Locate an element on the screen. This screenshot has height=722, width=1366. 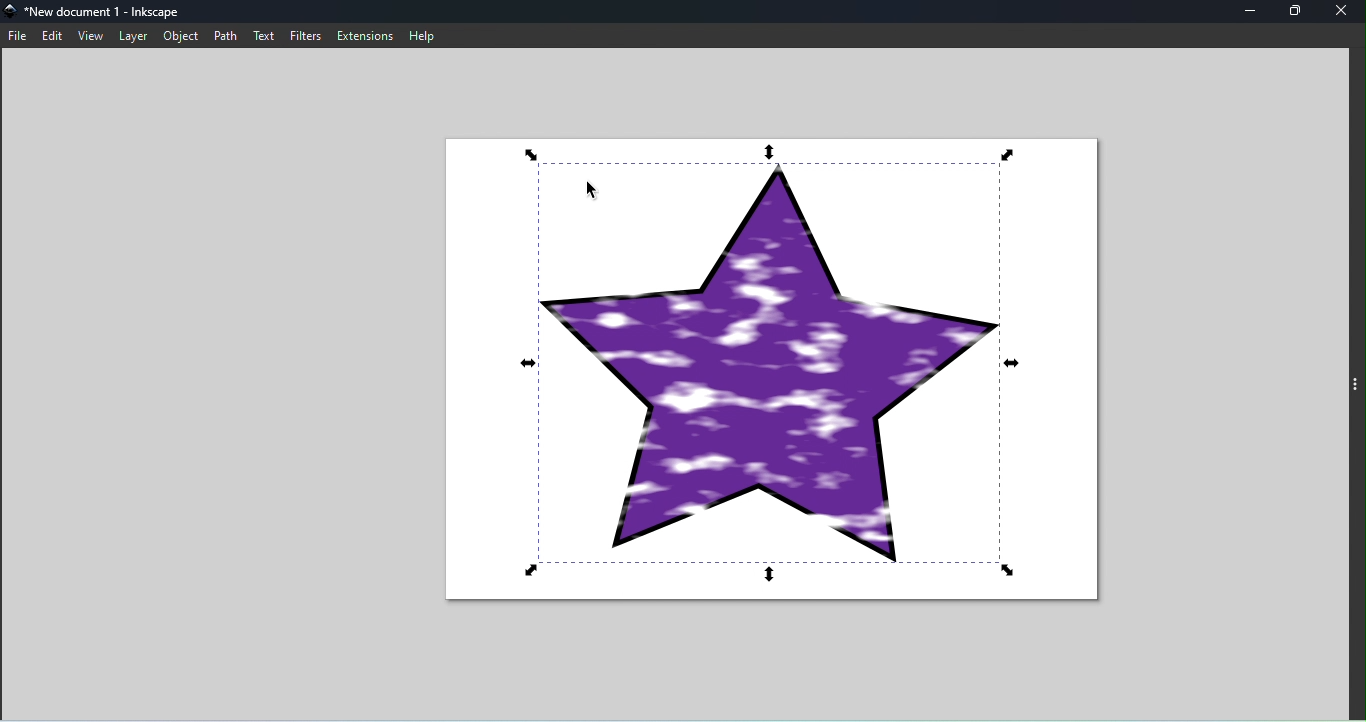
Canvas is located at coordinates (775, 373).